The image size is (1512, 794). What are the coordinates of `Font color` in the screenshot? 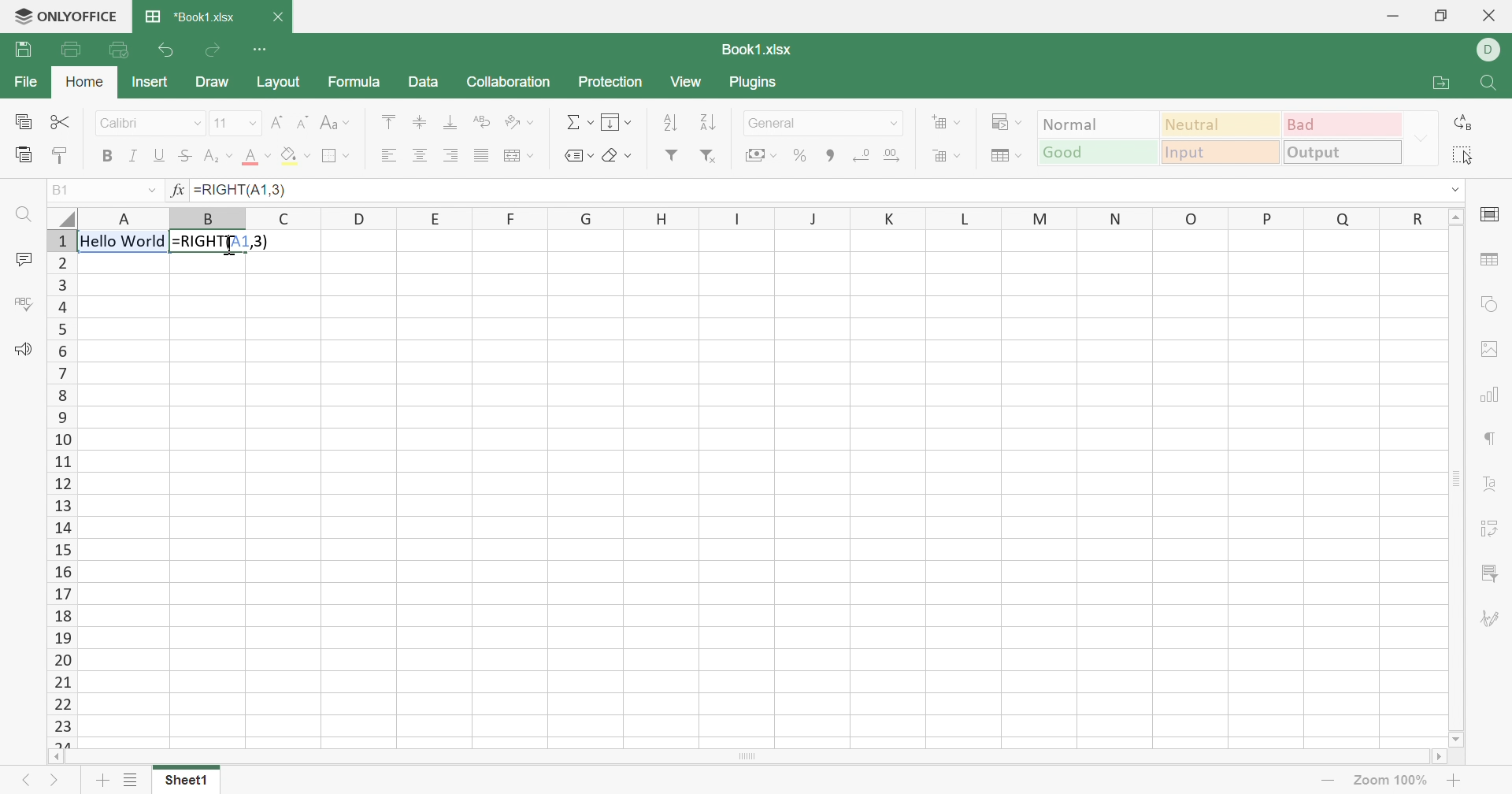 It's located at (258, 155).